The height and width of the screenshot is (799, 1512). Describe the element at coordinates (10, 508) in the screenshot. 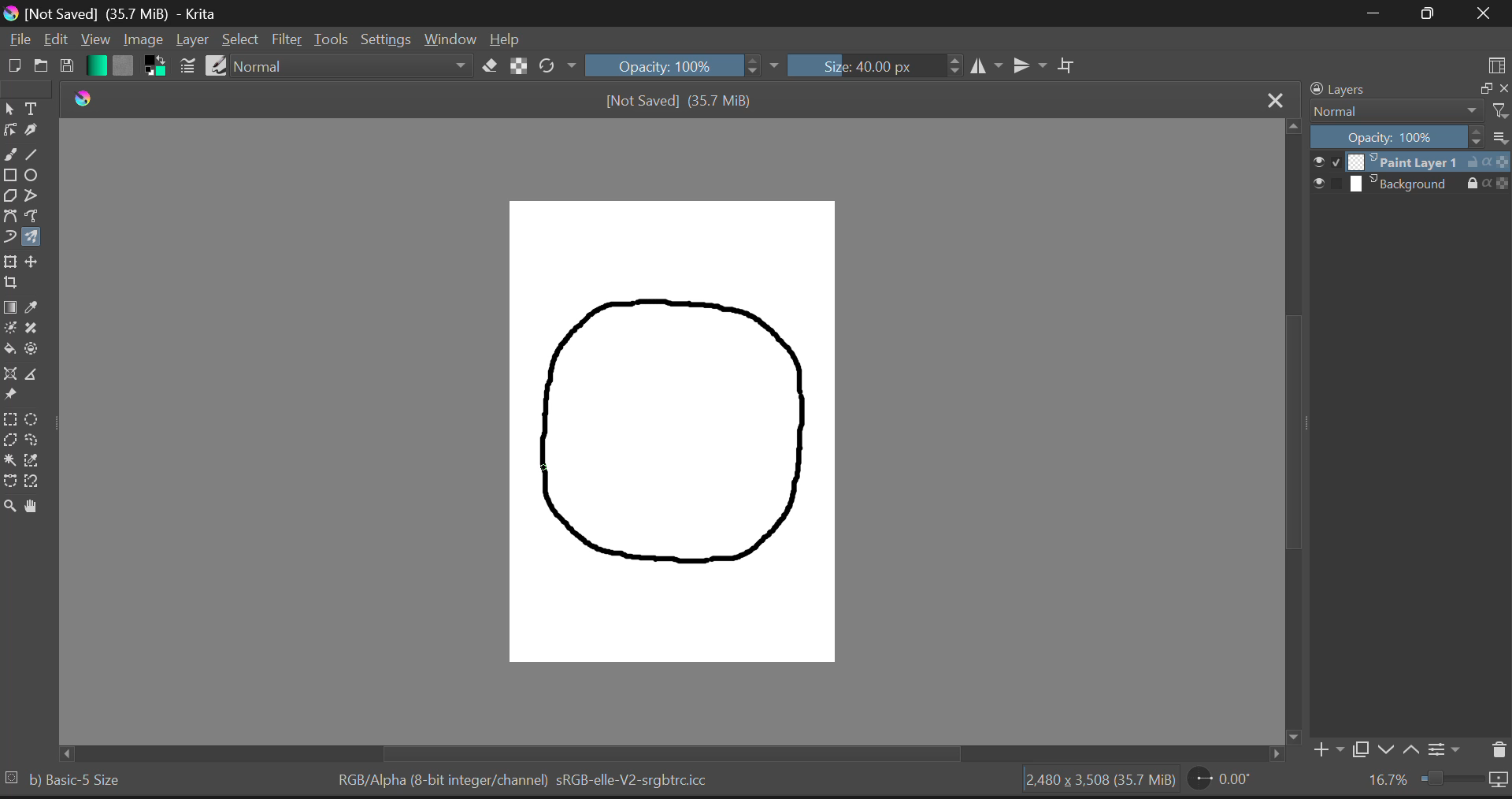

I see `Zoom` at that location.